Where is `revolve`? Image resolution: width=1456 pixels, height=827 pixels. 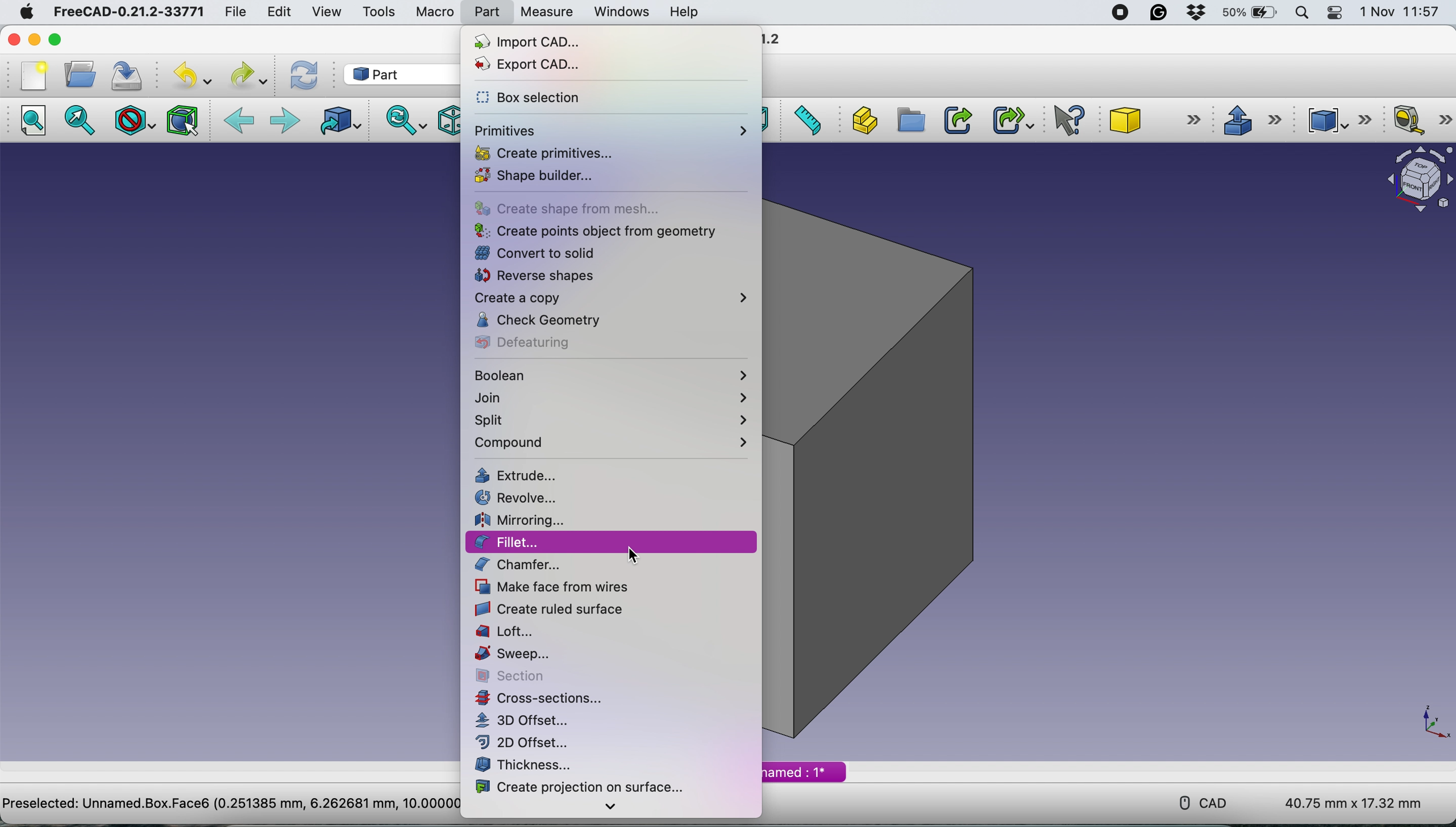
revolve is located at coordinates (525, 496).